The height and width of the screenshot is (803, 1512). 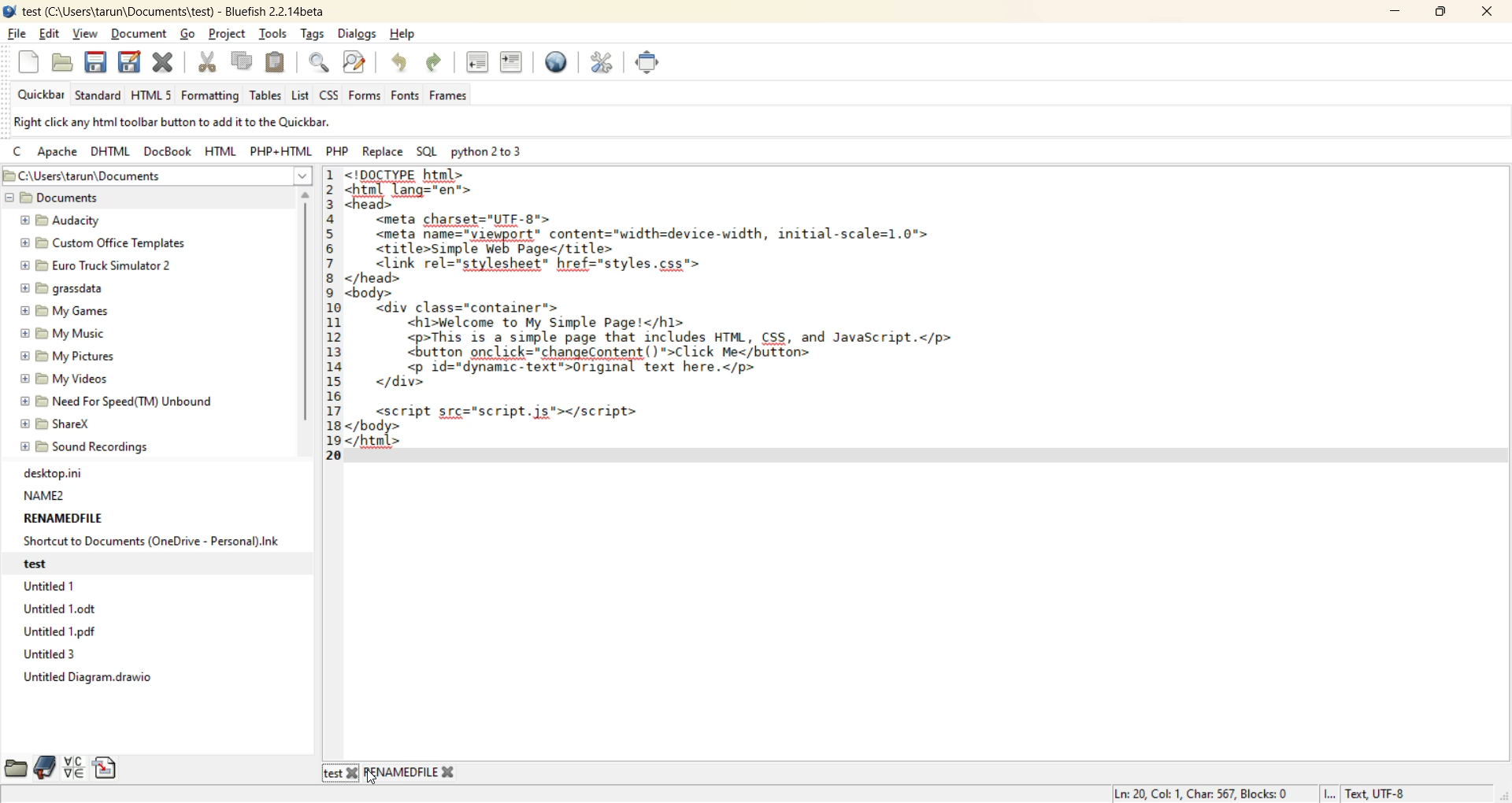 I want to click on indent, so click(x=509, y=61).